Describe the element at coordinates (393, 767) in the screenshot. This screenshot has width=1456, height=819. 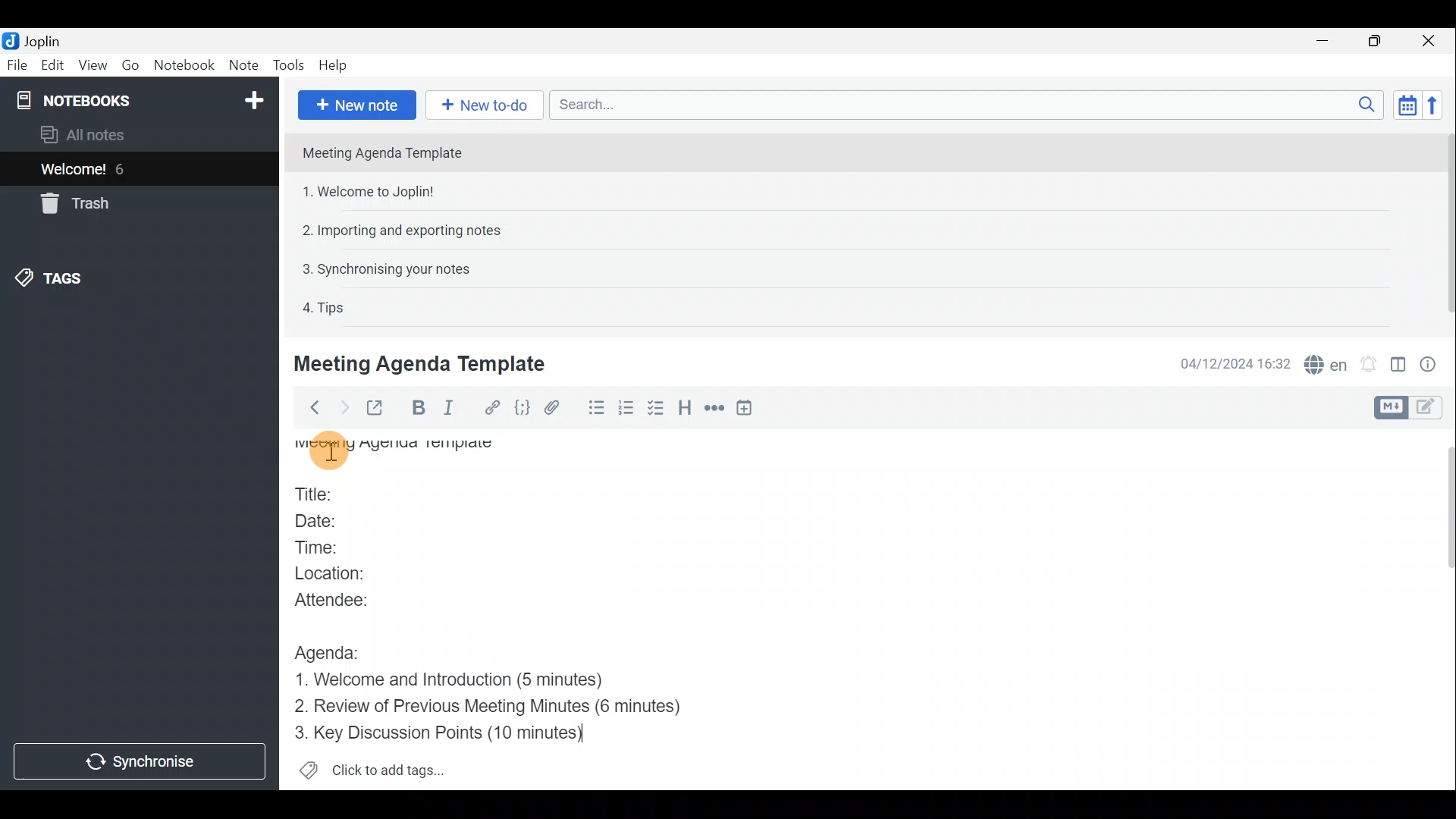
I see `Click to add tags` at that location.